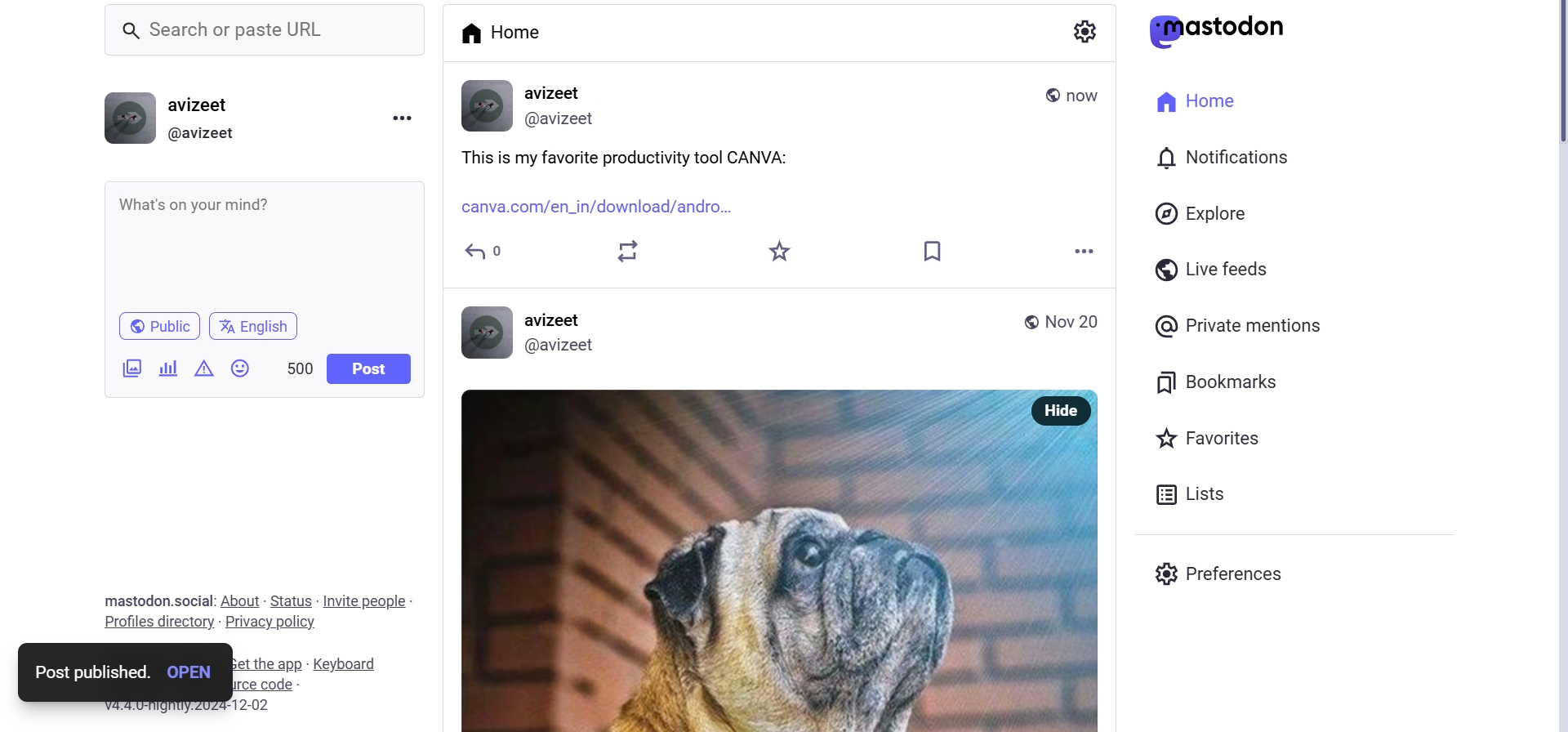  Describe the element at coordinates (1062, 410) in the screenshot. I see `Hide` at that location.